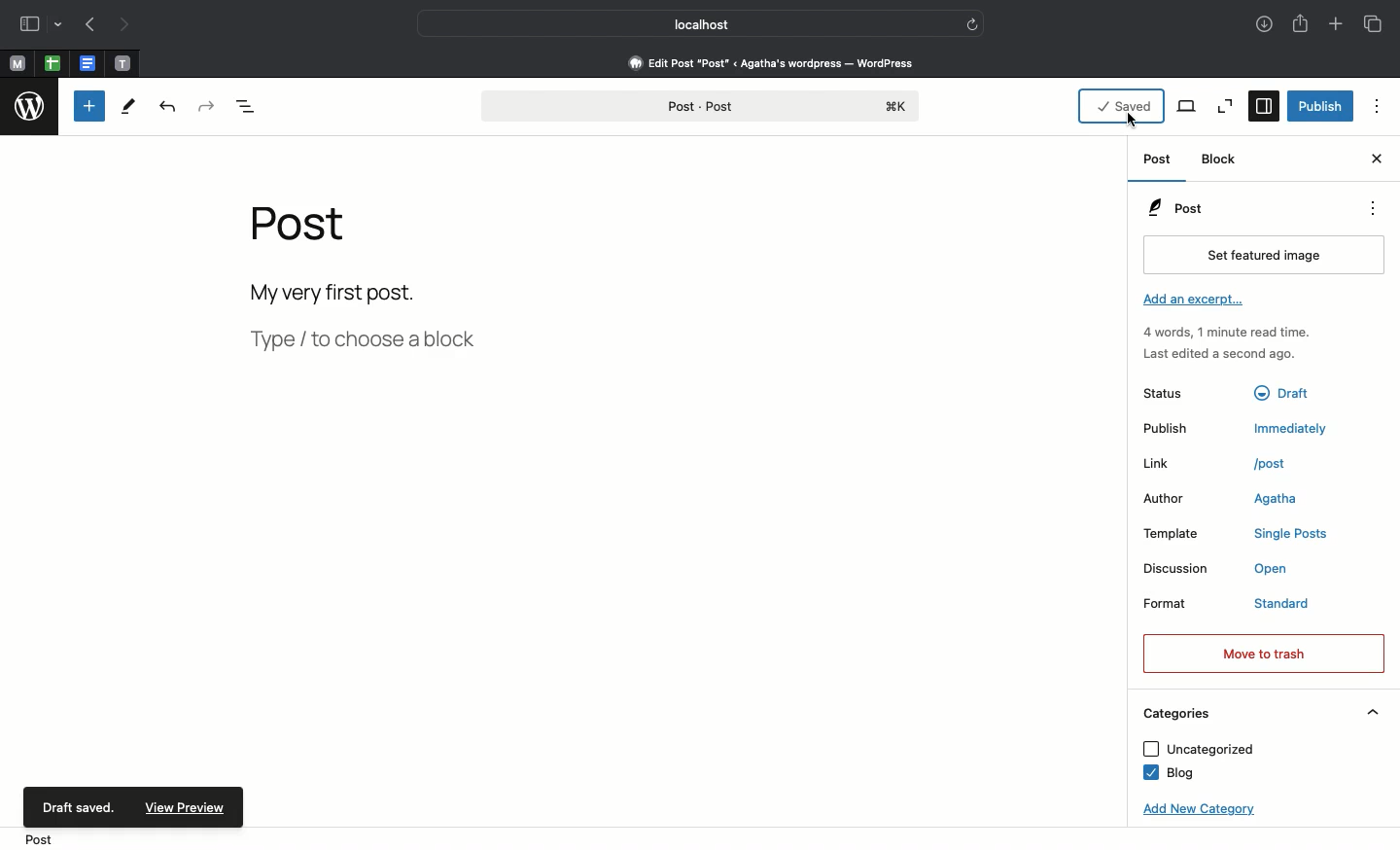  What do you see at coordinates (89, 106) in the screenshot?
I see `Toggle block inserter` at bounding box center [89, 106].